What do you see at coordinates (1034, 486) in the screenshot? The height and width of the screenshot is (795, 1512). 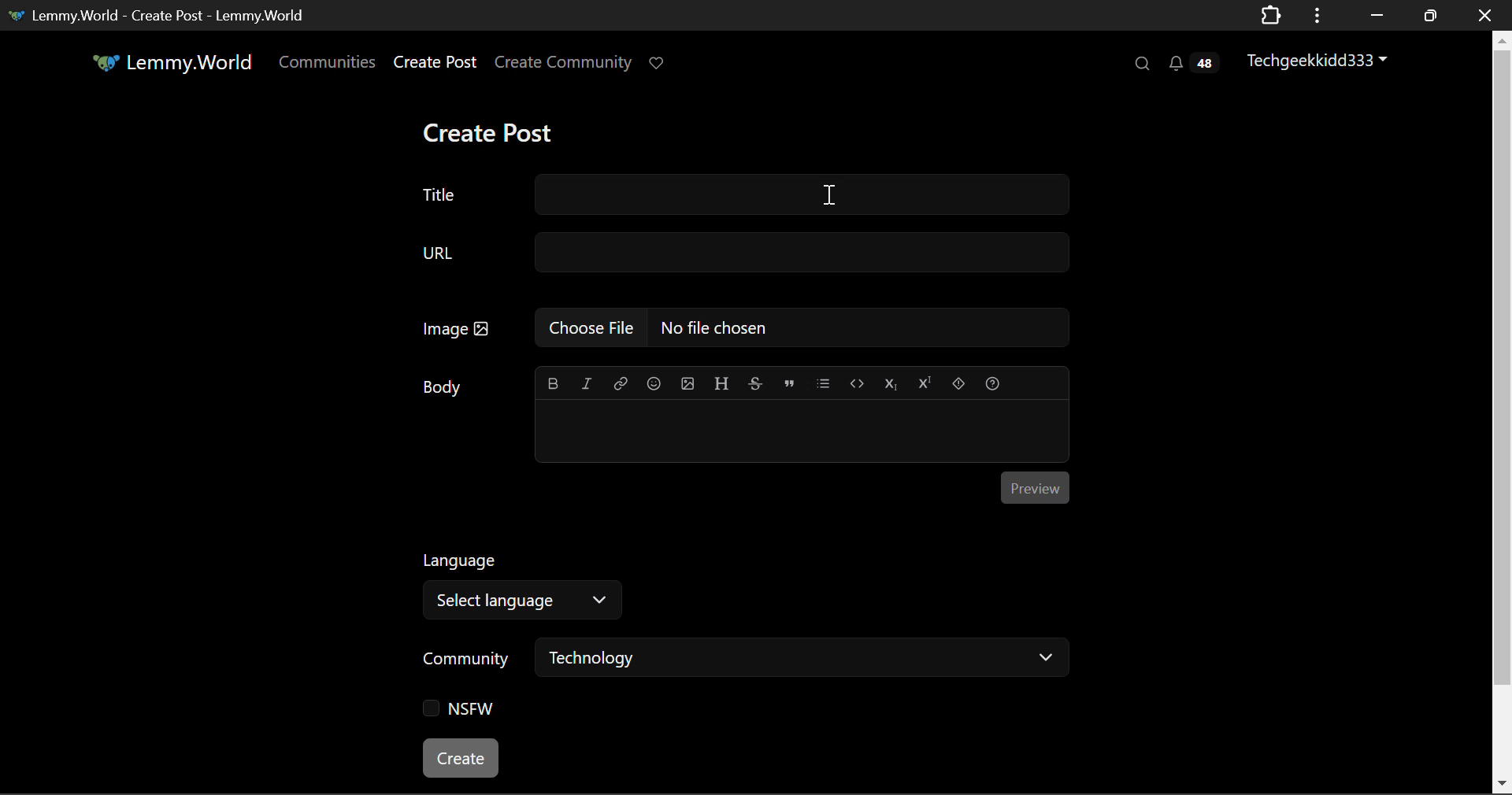 I see `Post Preview Button` at bounding box center [1034, 486].